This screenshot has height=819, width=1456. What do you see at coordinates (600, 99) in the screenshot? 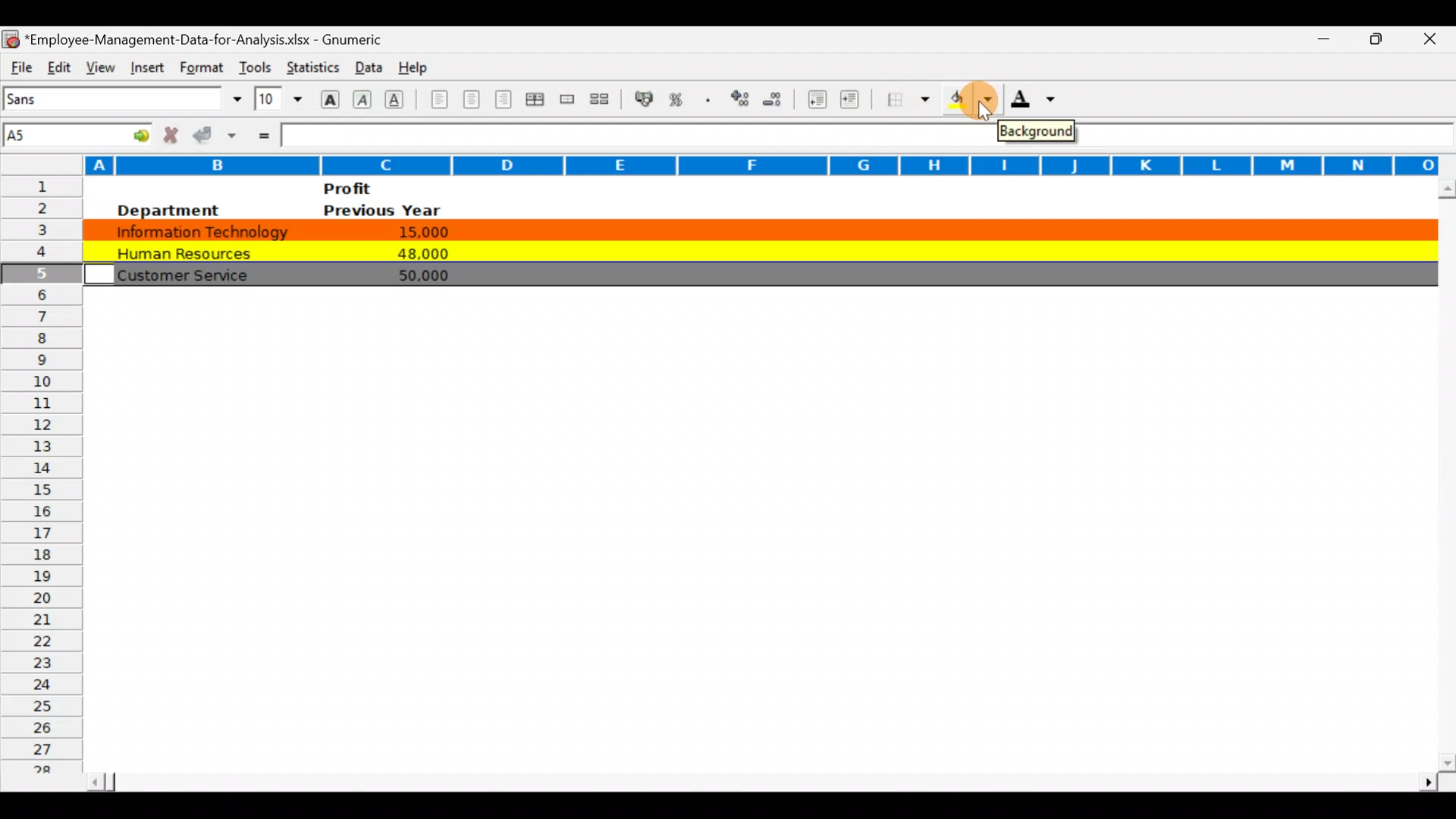
I see `Split merged range of cells` at bounding box center [600, 99].